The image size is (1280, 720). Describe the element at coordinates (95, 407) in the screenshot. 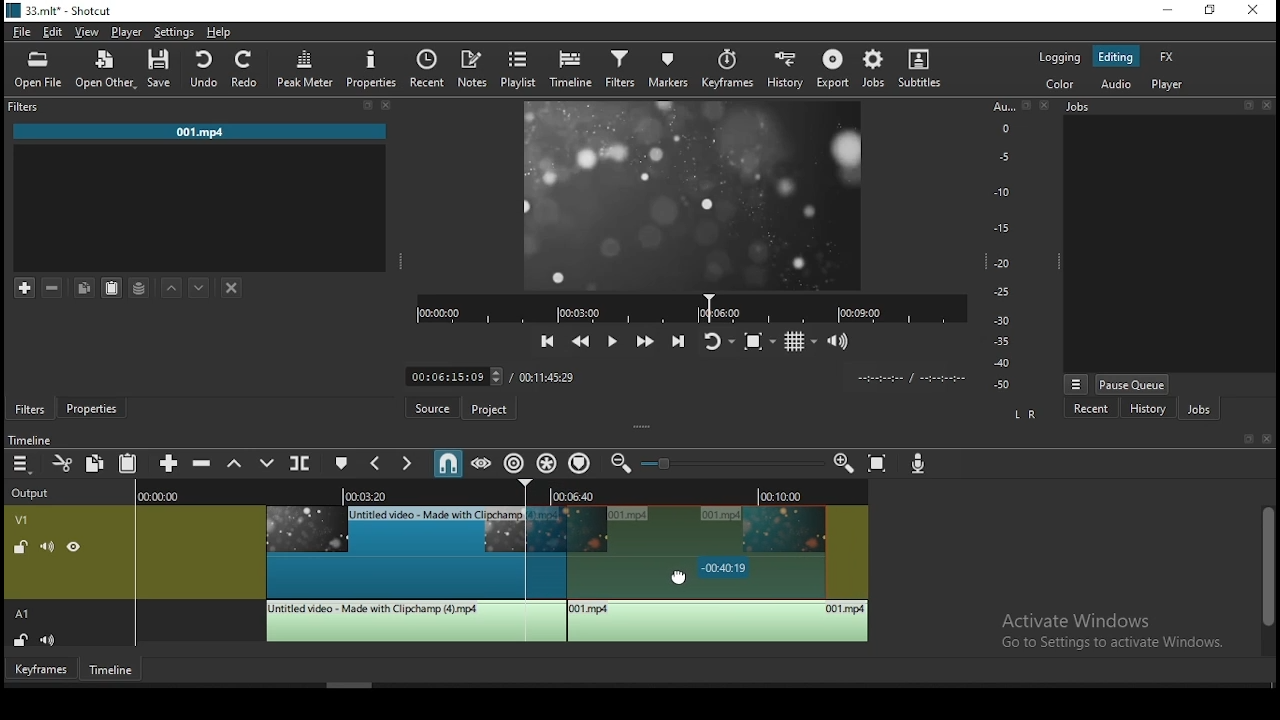

I see `properties` at that location.